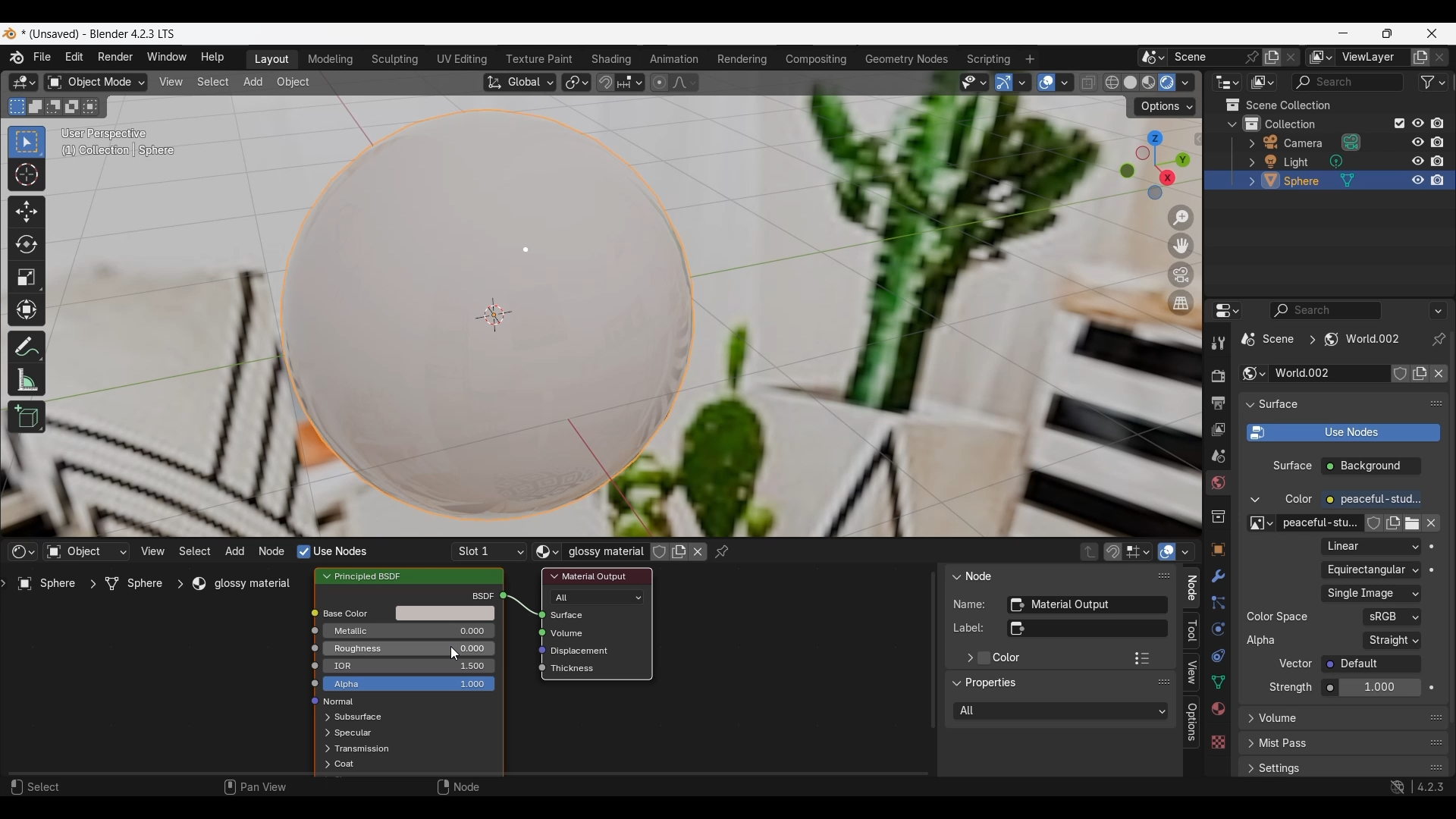 Image resolution: width=1456 pixels, height=819 pixels. Describe the element at coordinates (1273, 57) in the screenshot. I see `Add new scene` at that location.